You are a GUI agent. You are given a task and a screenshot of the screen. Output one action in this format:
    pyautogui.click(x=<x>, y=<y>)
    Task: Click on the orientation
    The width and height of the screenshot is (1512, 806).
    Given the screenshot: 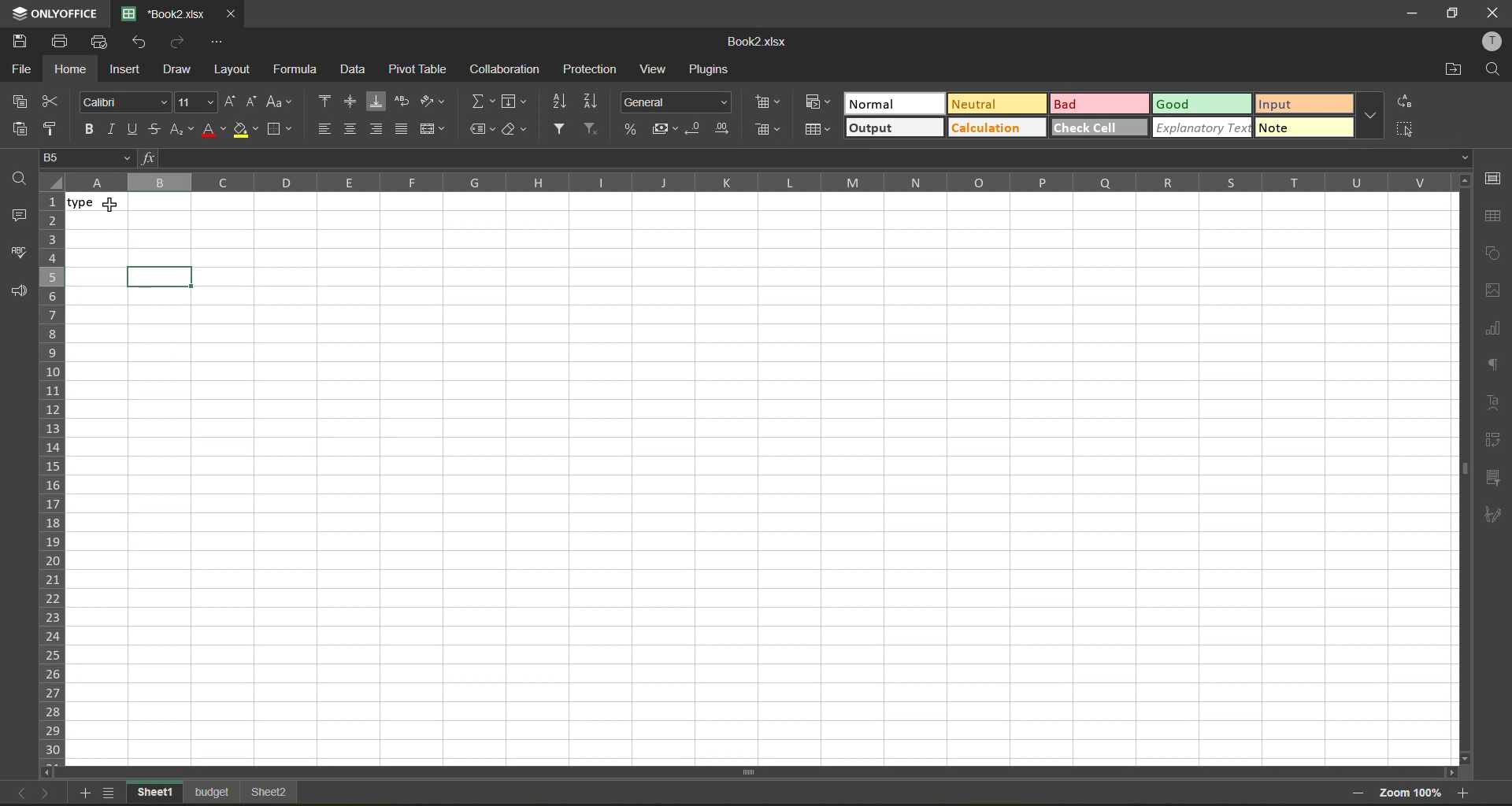 What is the action you would take?
    pyautogui.click(x=433, y=104)
    